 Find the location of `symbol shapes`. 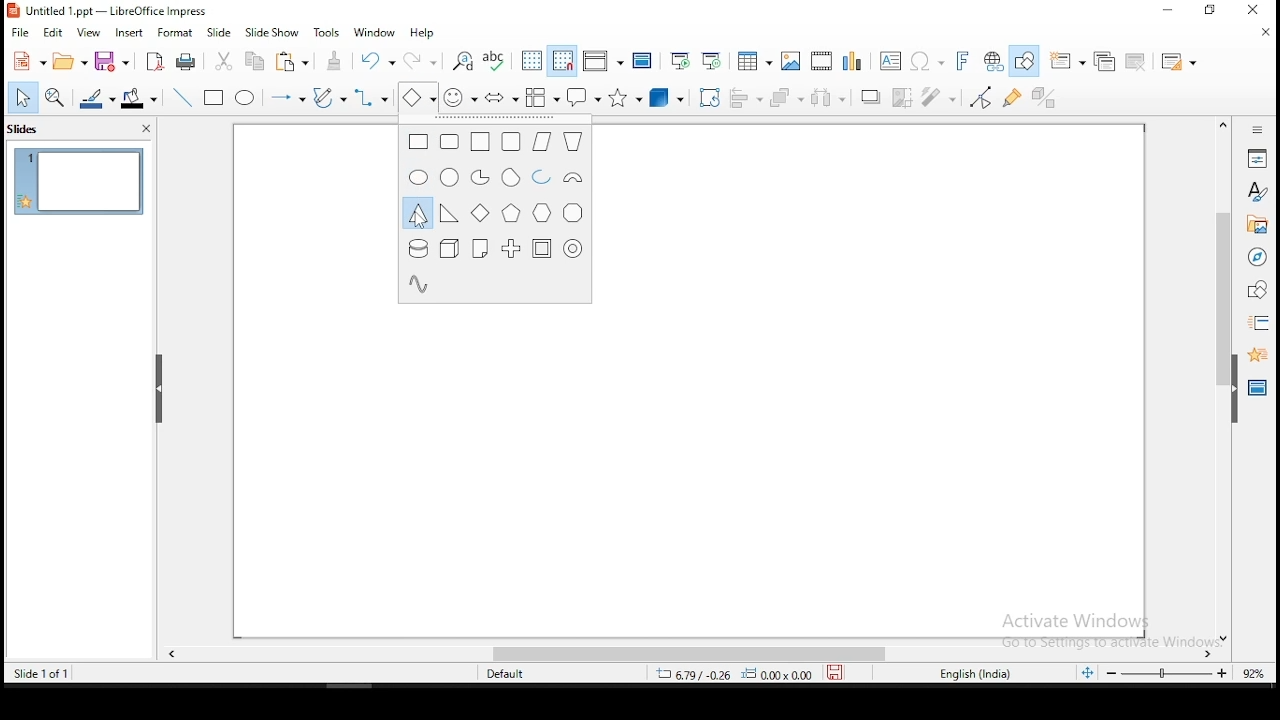

symbol shapes is located at coordinates (460, 97).